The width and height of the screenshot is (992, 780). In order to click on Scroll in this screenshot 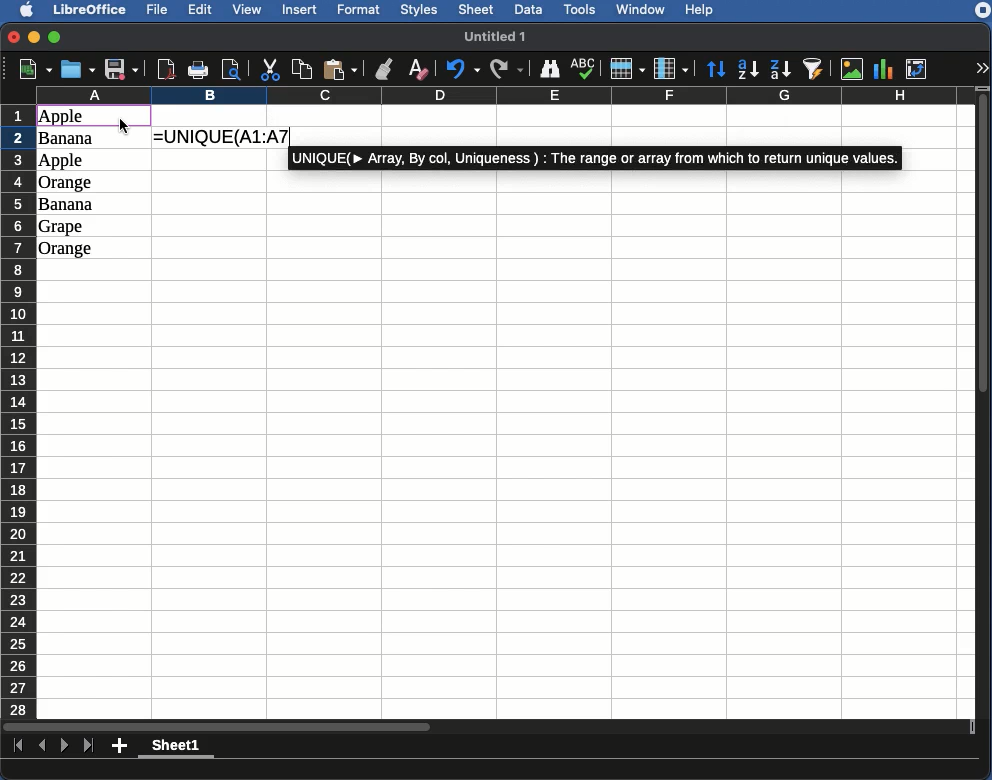, I will do `click(486, 727)`.